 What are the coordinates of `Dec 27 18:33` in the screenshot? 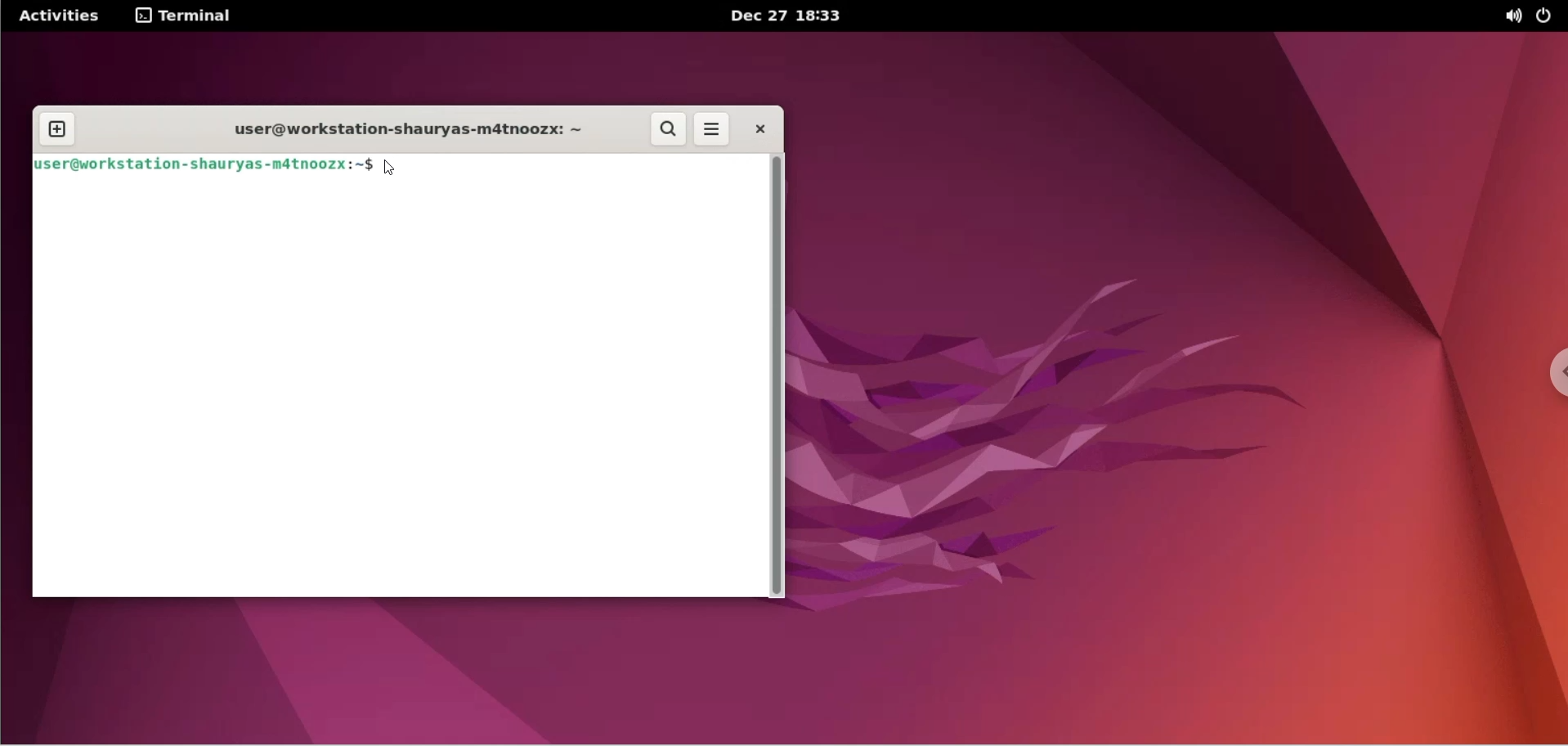 It's located at (792, 16).